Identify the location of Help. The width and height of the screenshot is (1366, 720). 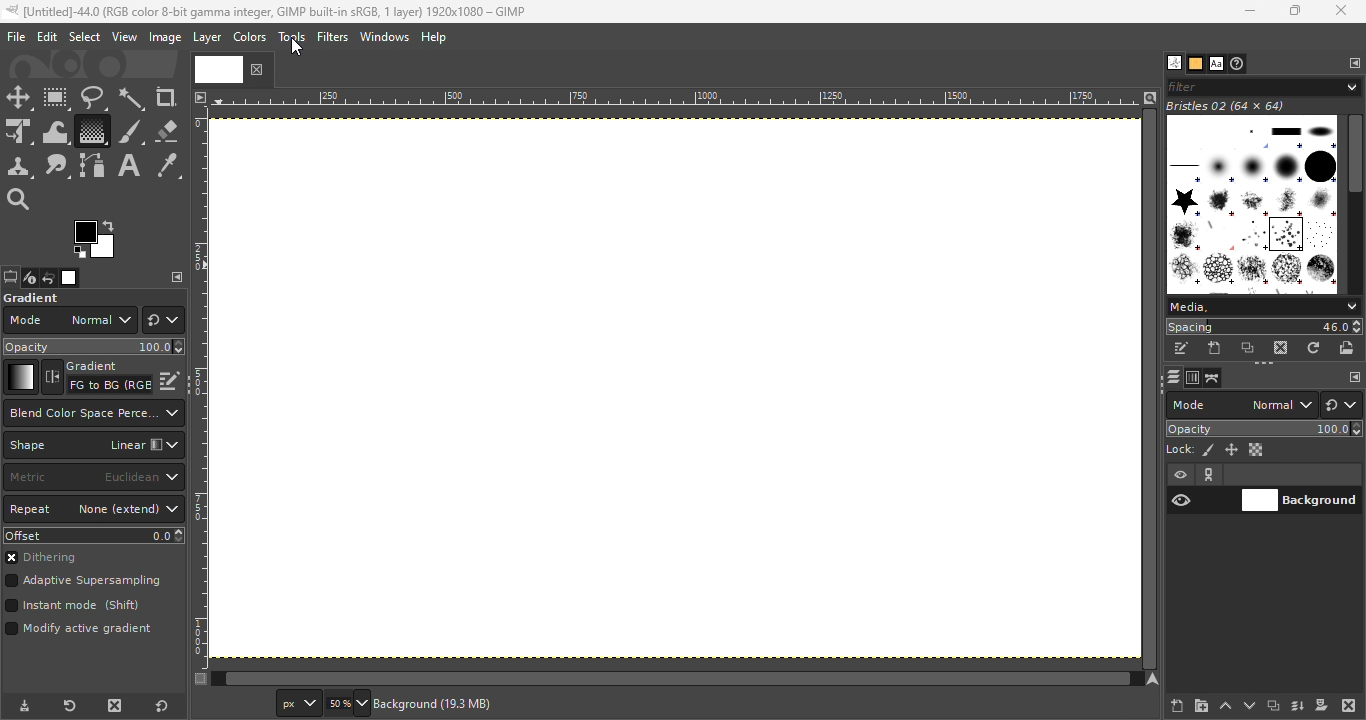
(436, 37).